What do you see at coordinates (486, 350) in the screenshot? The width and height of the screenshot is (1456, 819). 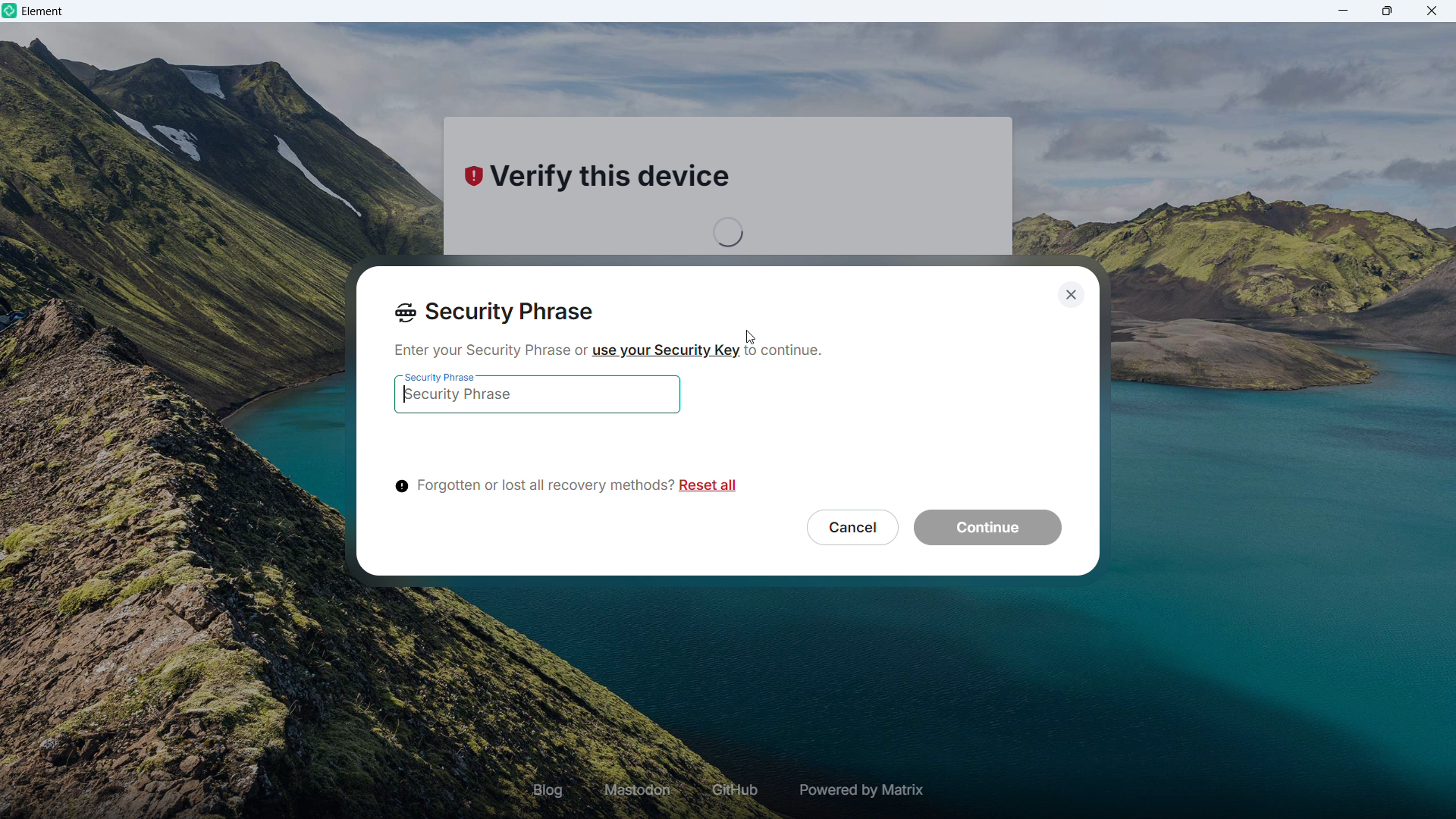 I see `enter your security phrase or` at bounding box center [486, 350].